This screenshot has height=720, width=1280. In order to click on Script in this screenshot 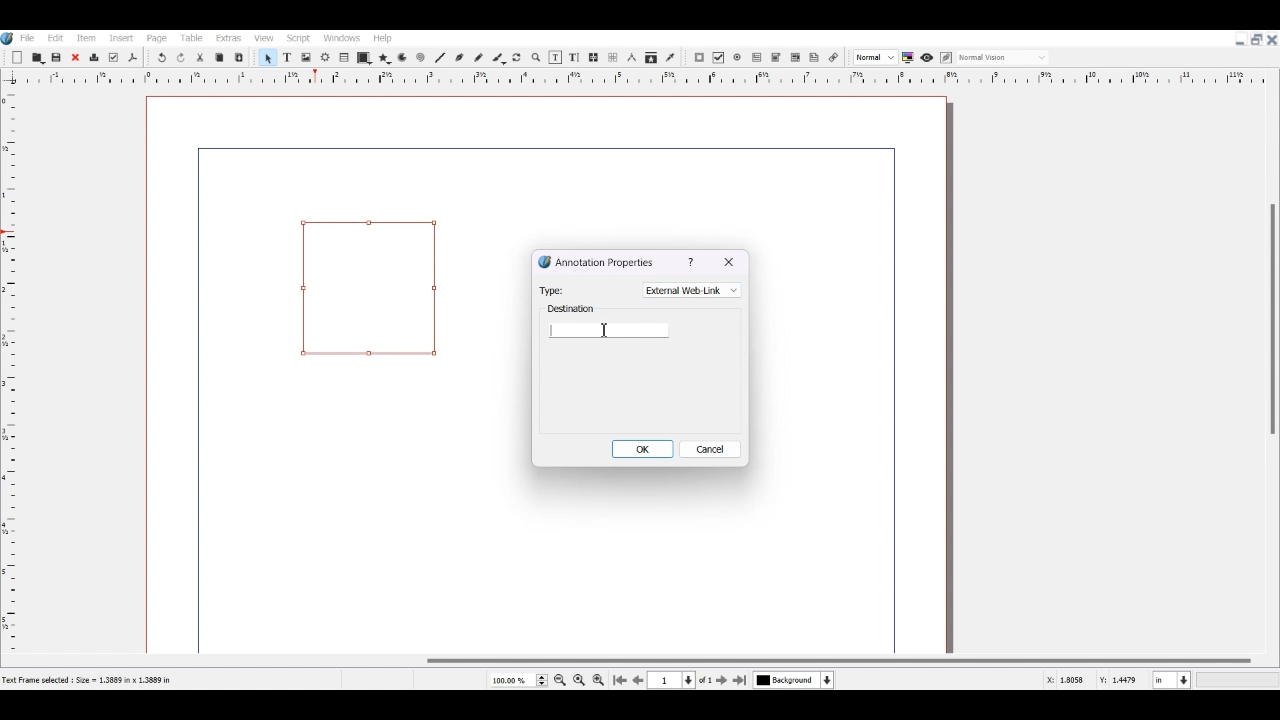, I will do `click(300, 37)`.